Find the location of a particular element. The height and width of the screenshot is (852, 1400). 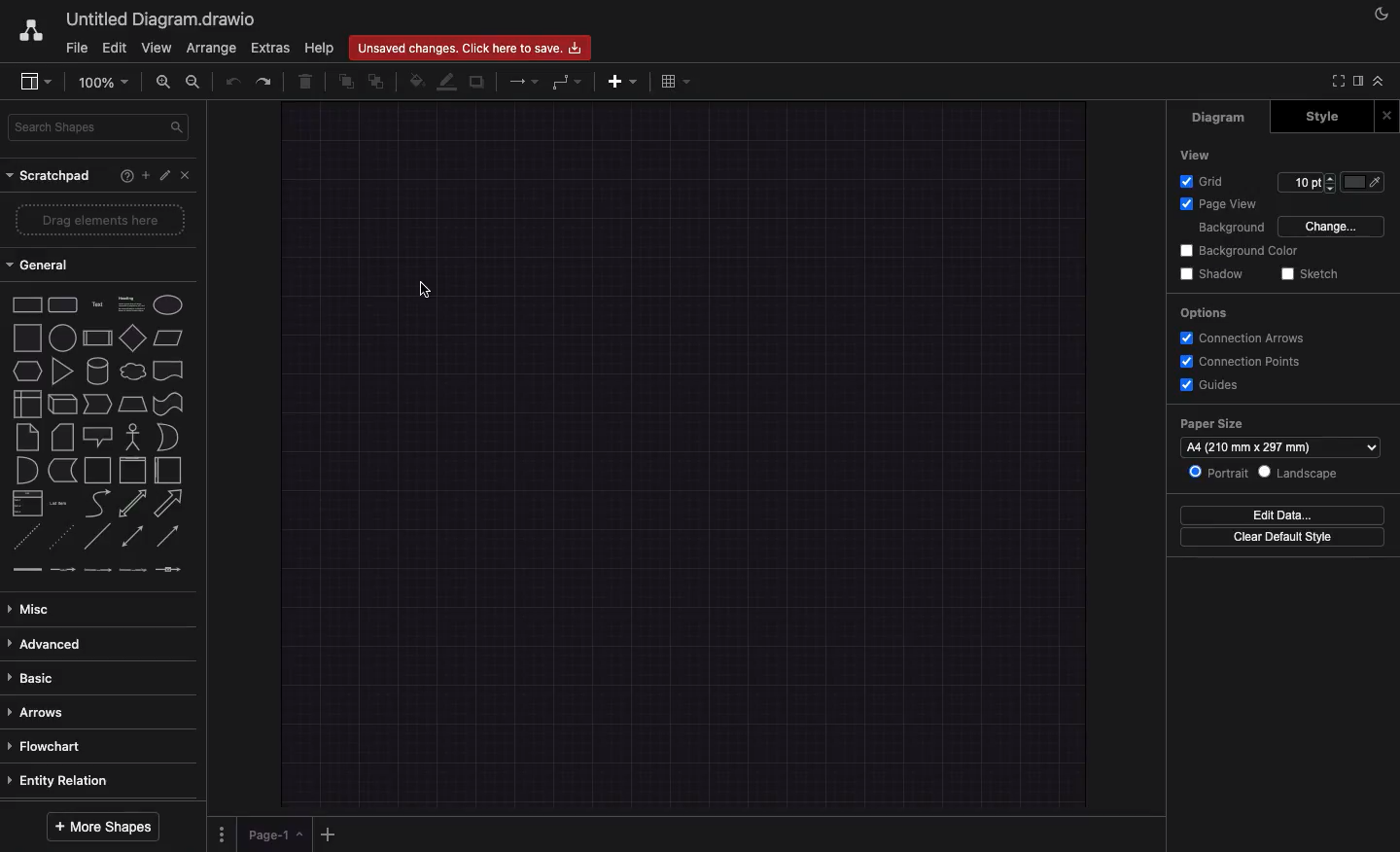

triangle is located at coordinates (61, 371).